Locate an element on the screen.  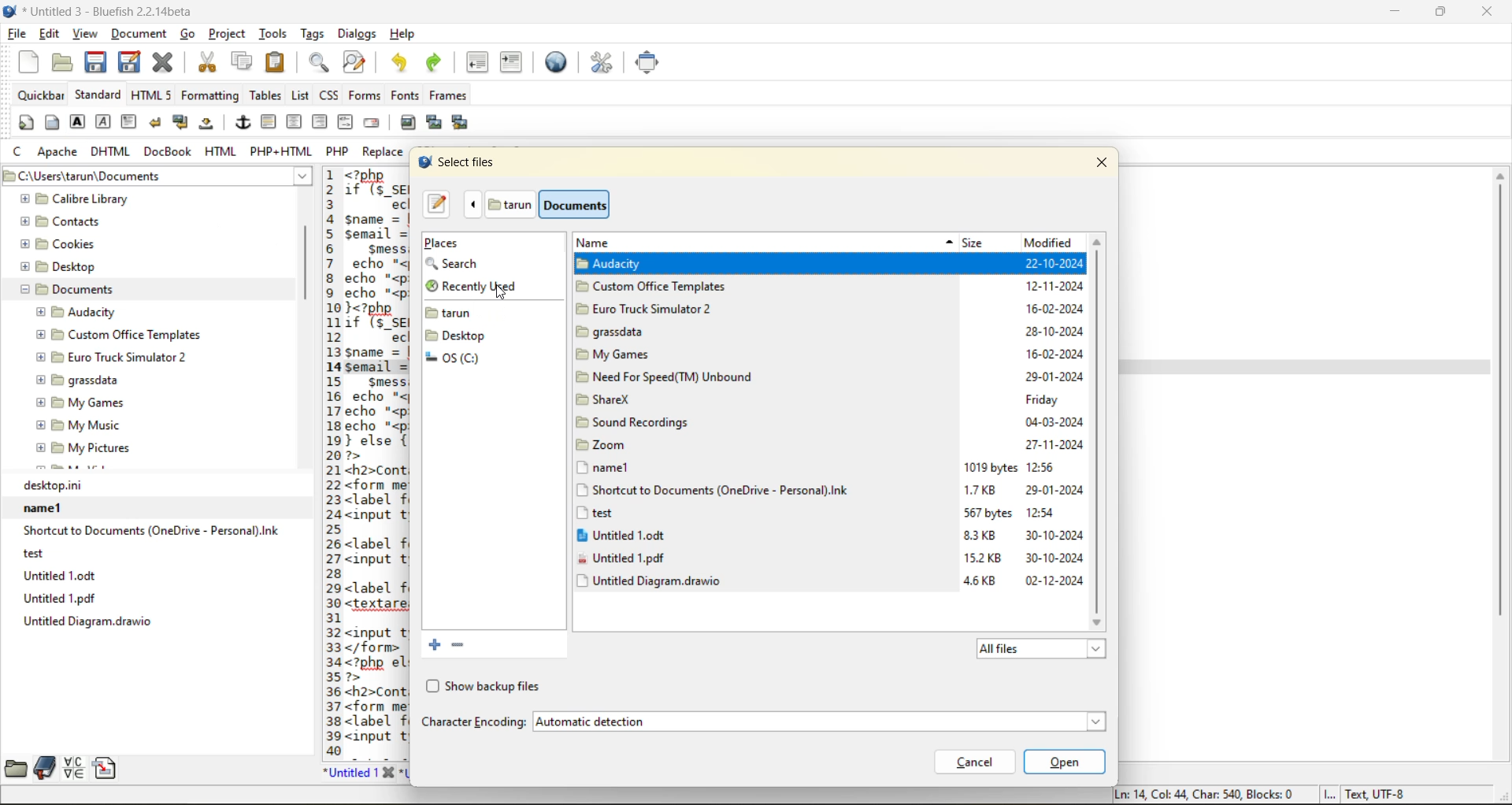
remove the selected bookmark is located at coordinates (463, 646).